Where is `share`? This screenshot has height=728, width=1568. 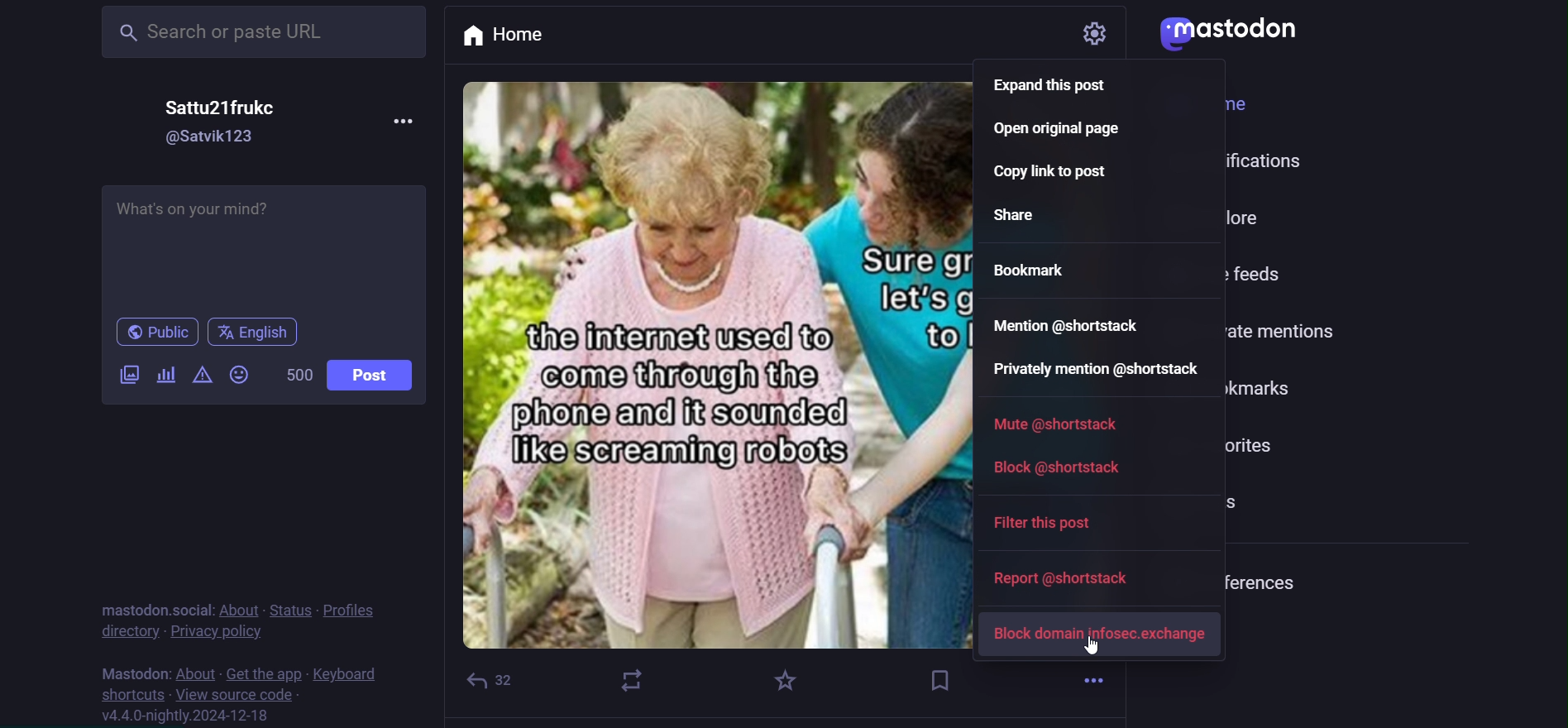 share is located at coordinates (1017, 216).